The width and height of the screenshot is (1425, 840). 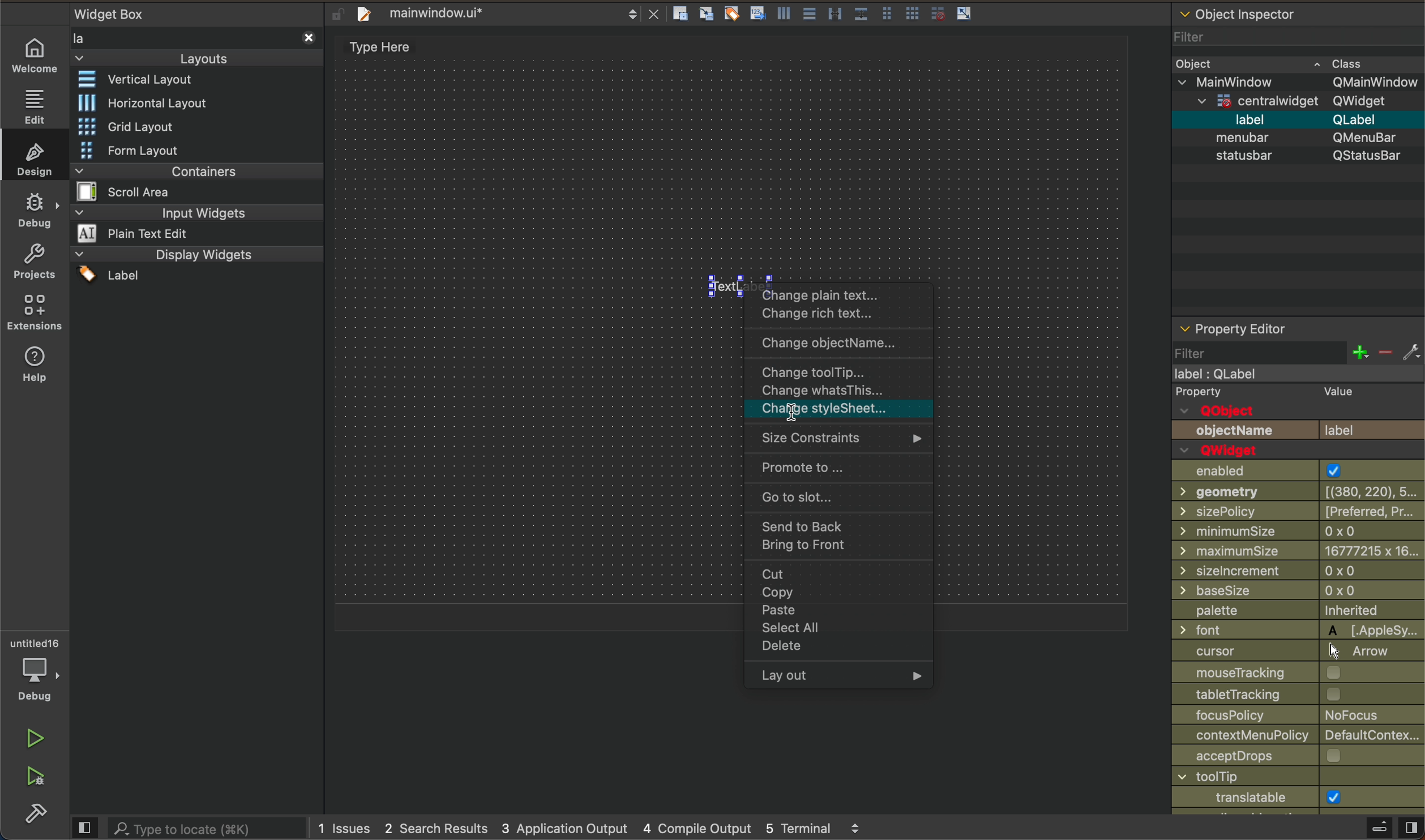 What do you see at coordinates (32, 265) in the screenshot?
I see `projects` at bounding box center [32, 265].